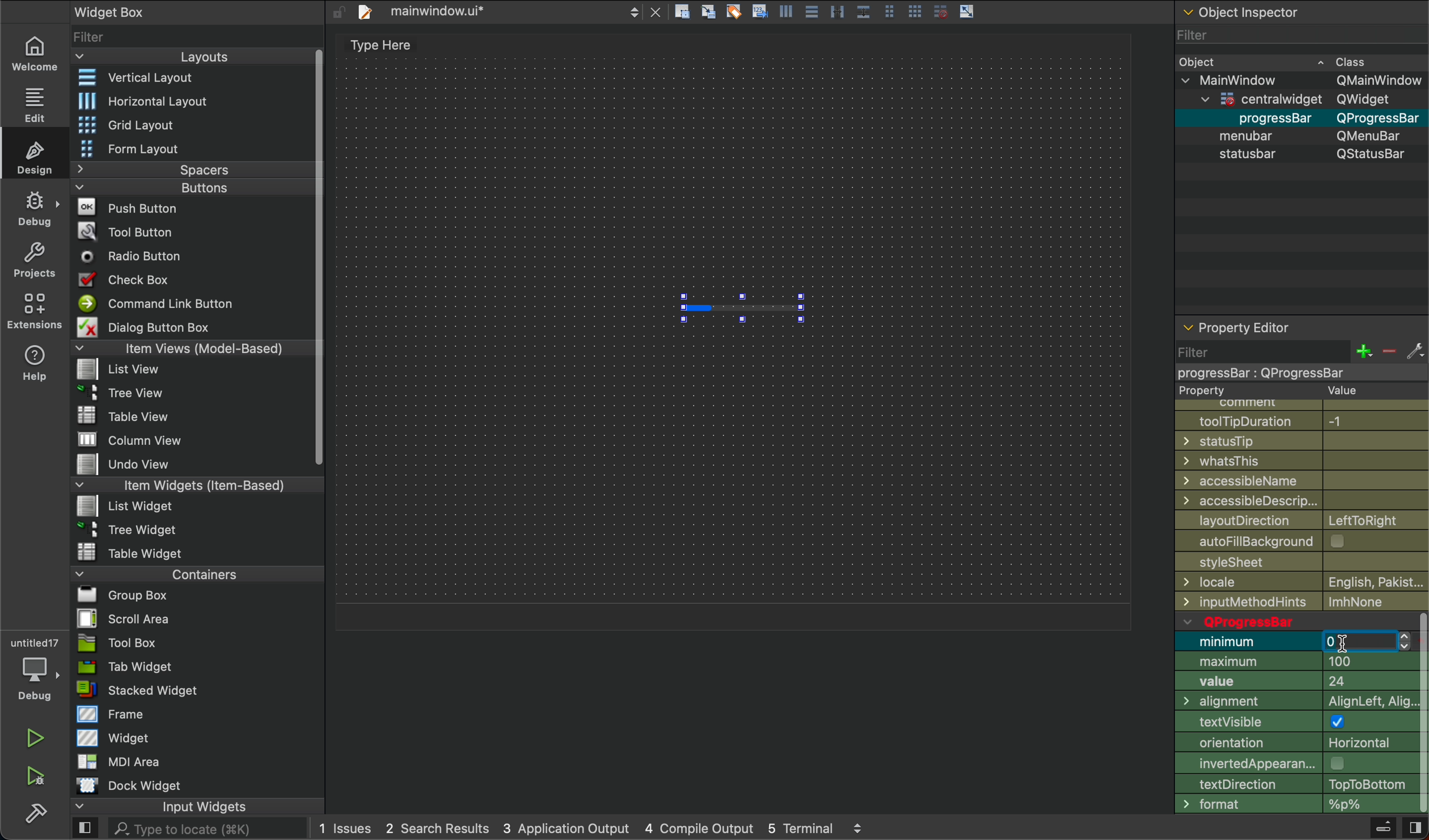  Describe the element at coordinates (35, 310) in the screenshot. I see `extension` at that location.